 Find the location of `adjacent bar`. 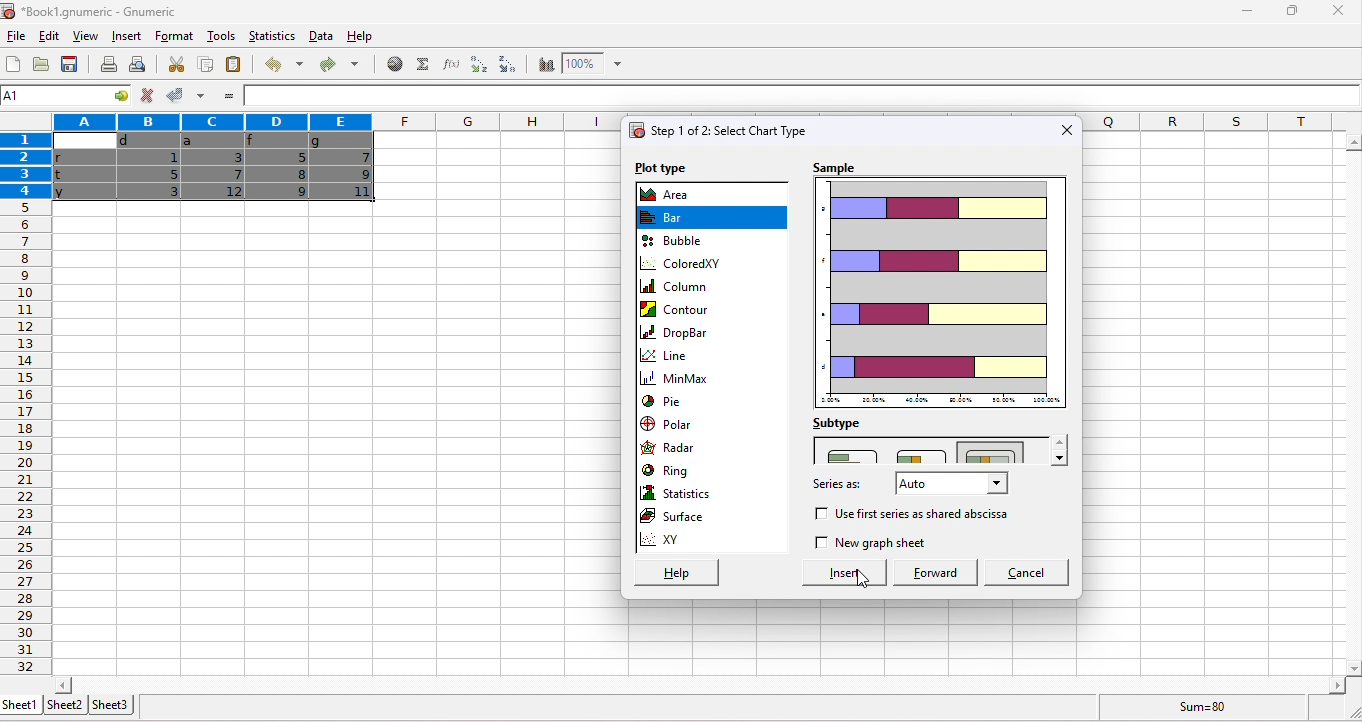

adjacent bar is located at coordinates (855, 454).